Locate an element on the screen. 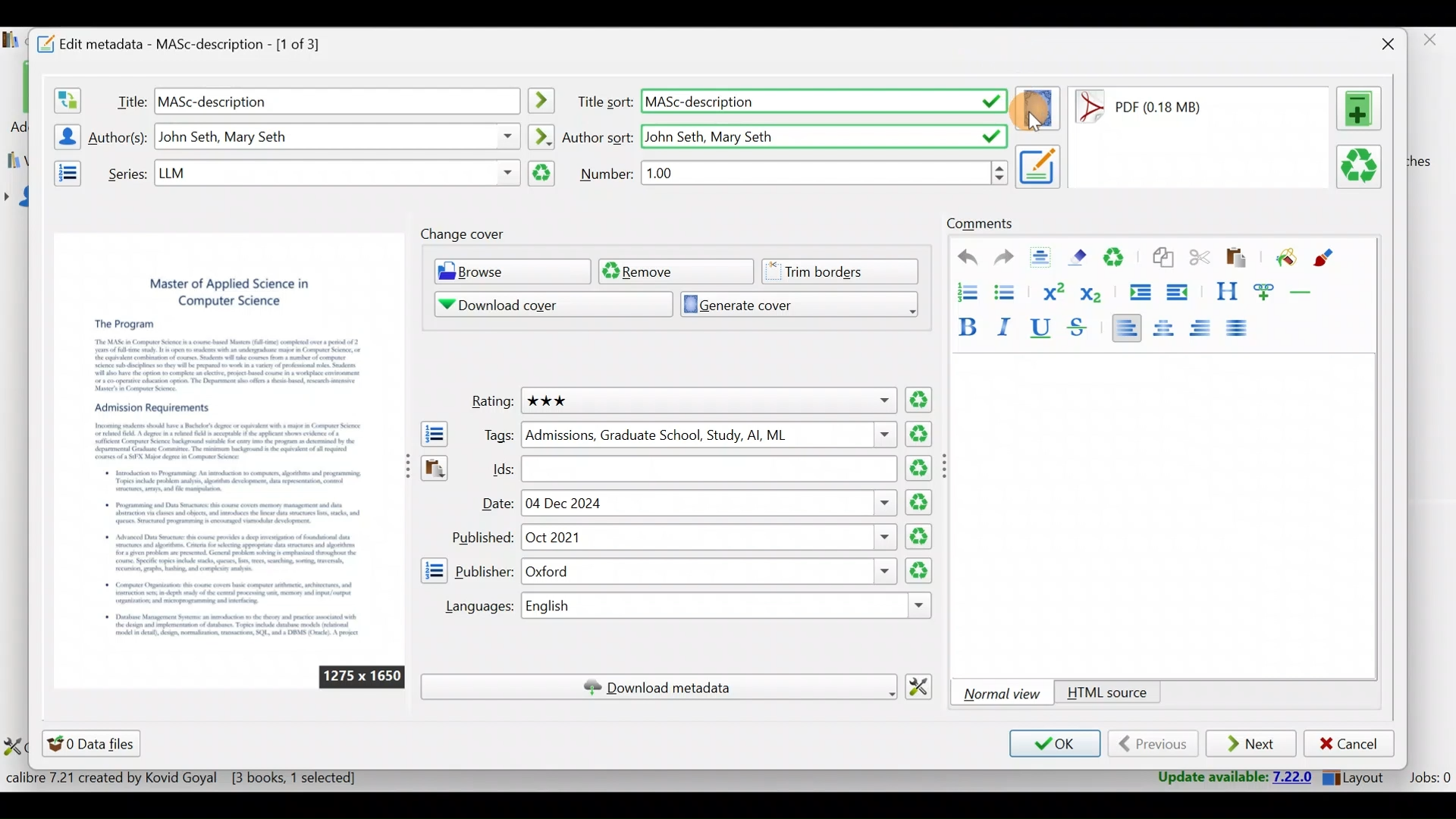 The width and height of the screenshot is (1456, 819). Next is located at coordinates (1253, 745).